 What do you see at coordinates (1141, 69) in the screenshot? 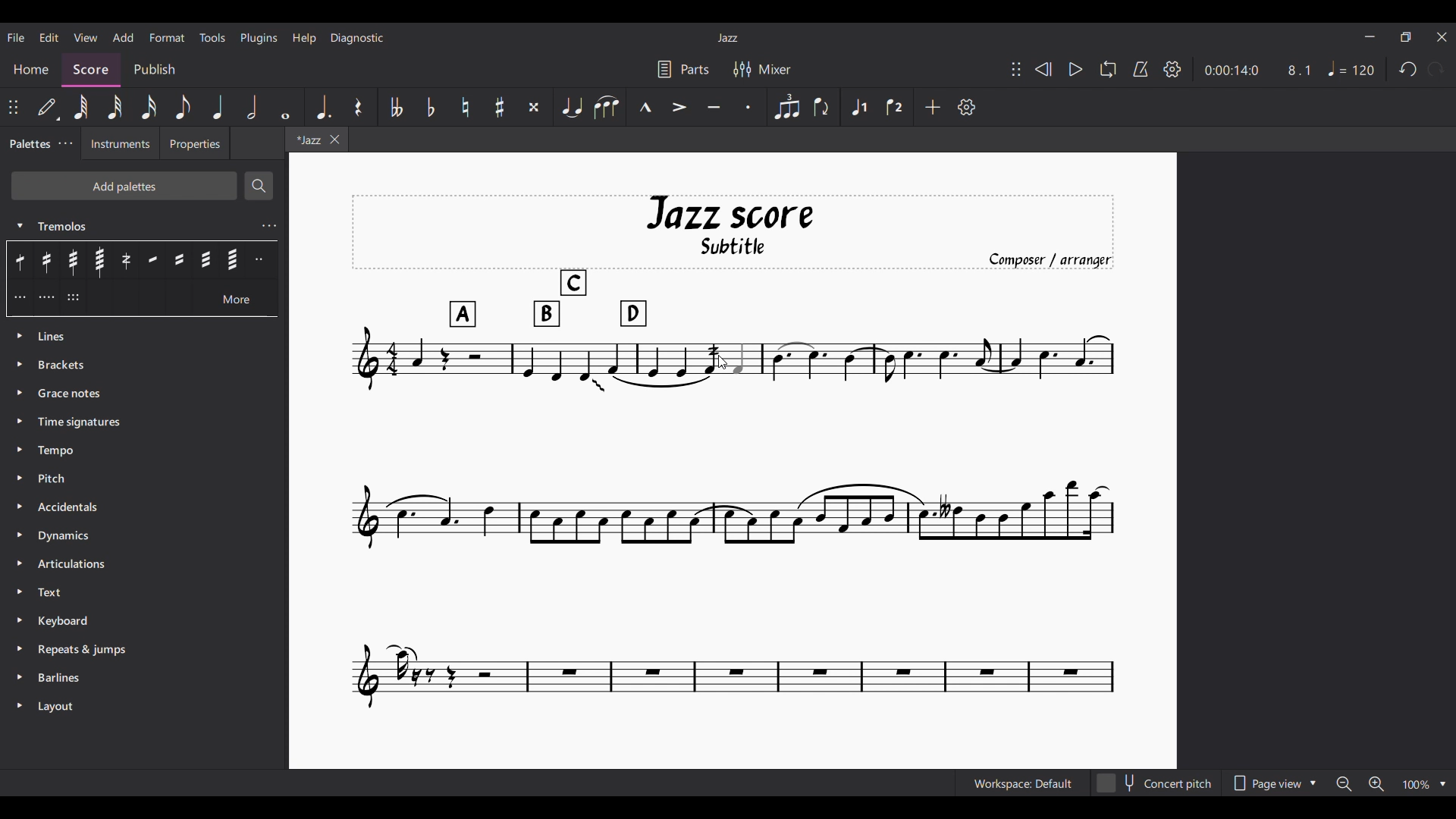
I see `Metronome` at bounding box center [1141, 69].